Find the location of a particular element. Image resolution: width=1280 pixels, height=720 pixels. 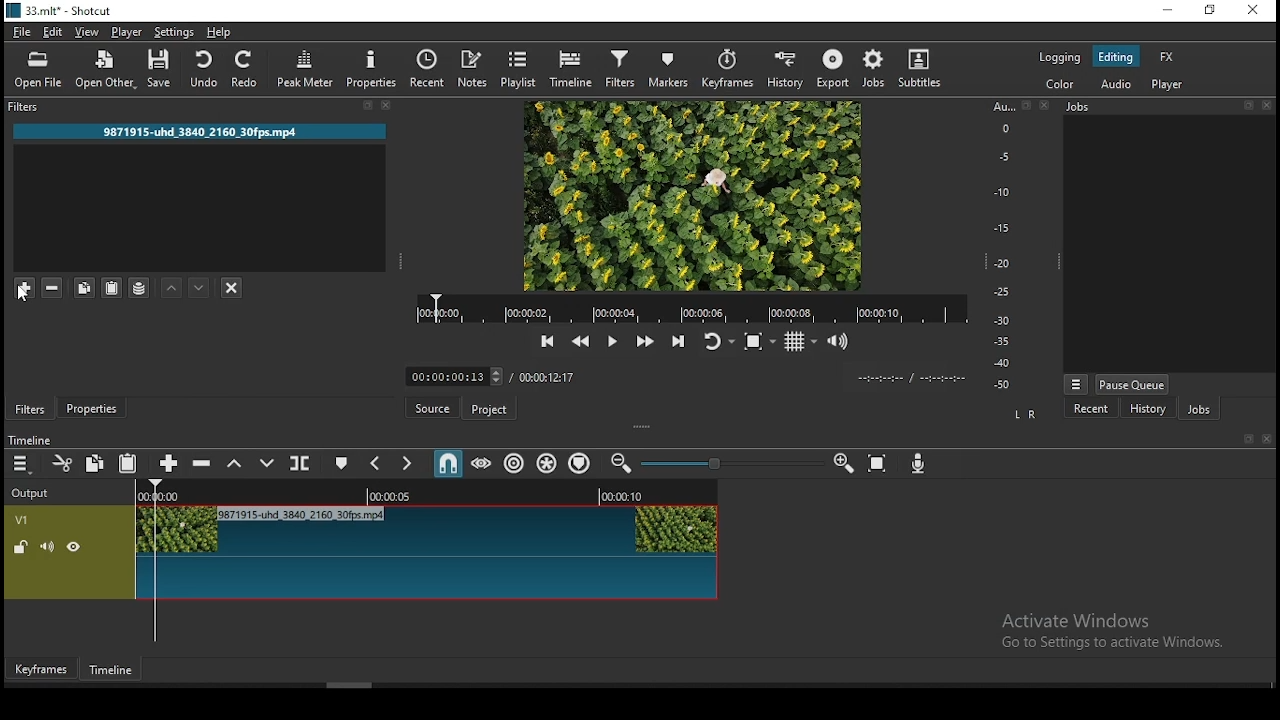

player is located at coordinates (129, 33).